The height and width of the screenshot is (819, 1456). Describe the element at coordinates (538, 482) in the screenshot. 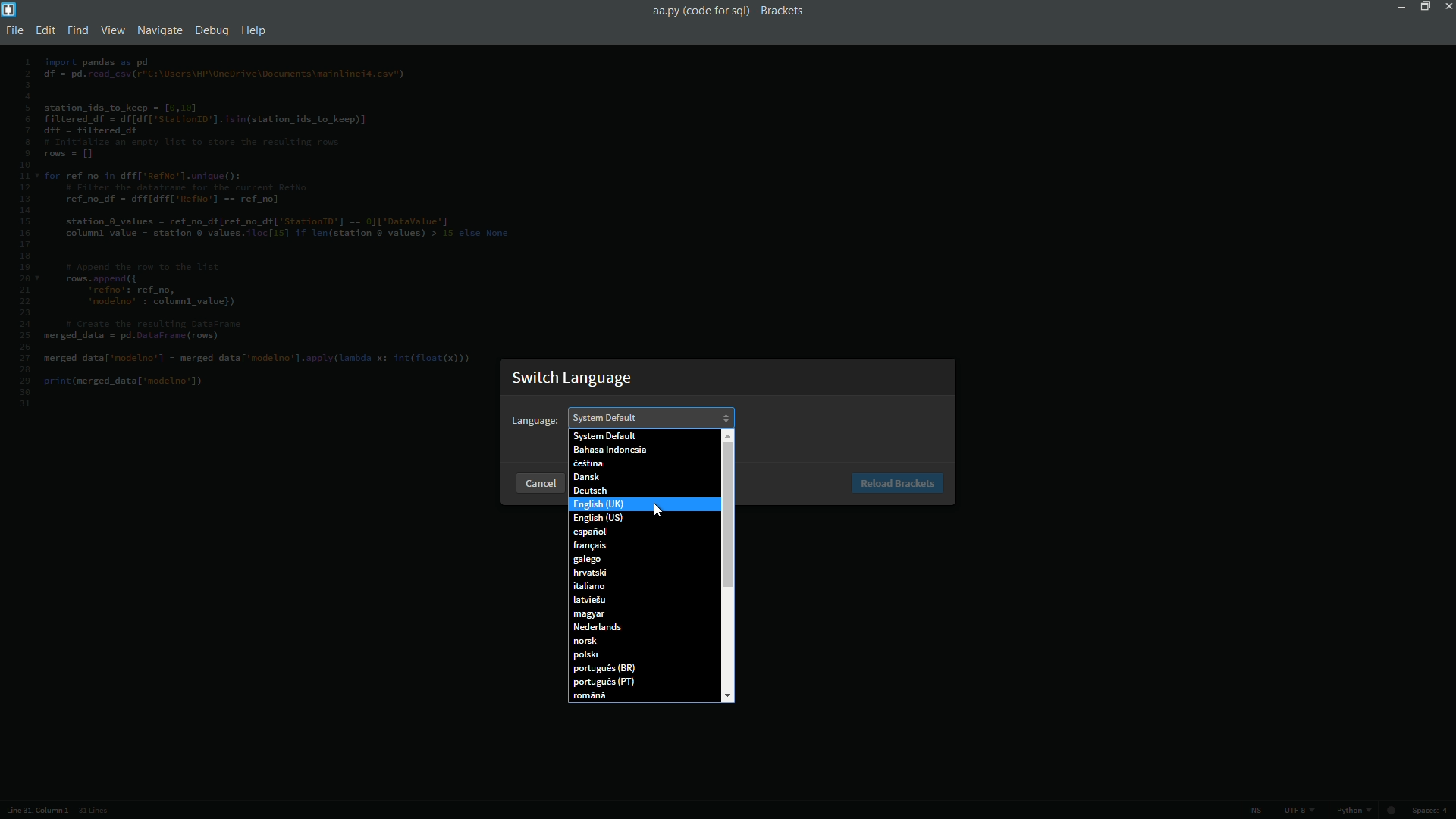

I see `cancel` at that location.